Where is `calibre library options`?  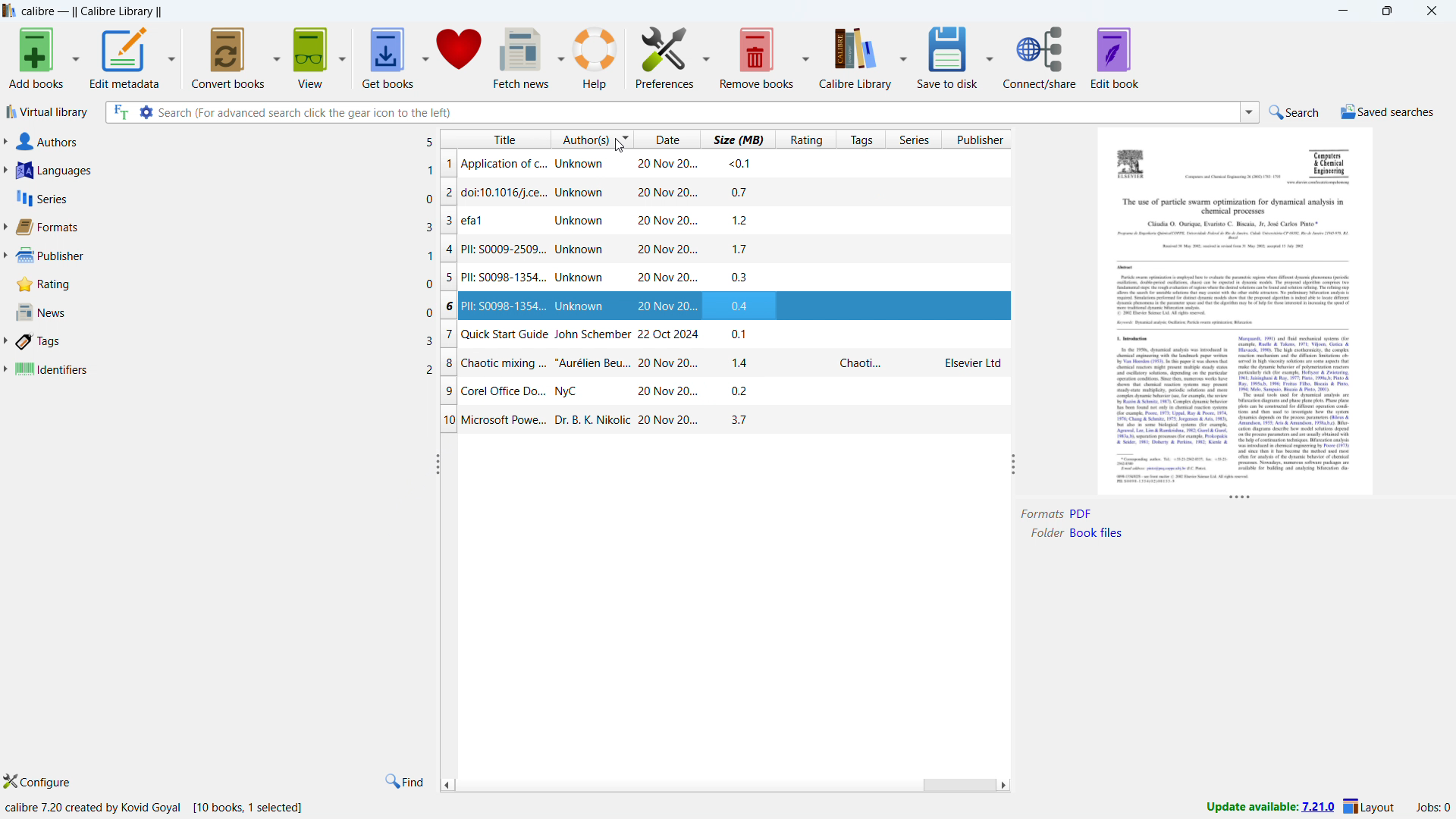
calibre library options is located at coordinates (902, 55).